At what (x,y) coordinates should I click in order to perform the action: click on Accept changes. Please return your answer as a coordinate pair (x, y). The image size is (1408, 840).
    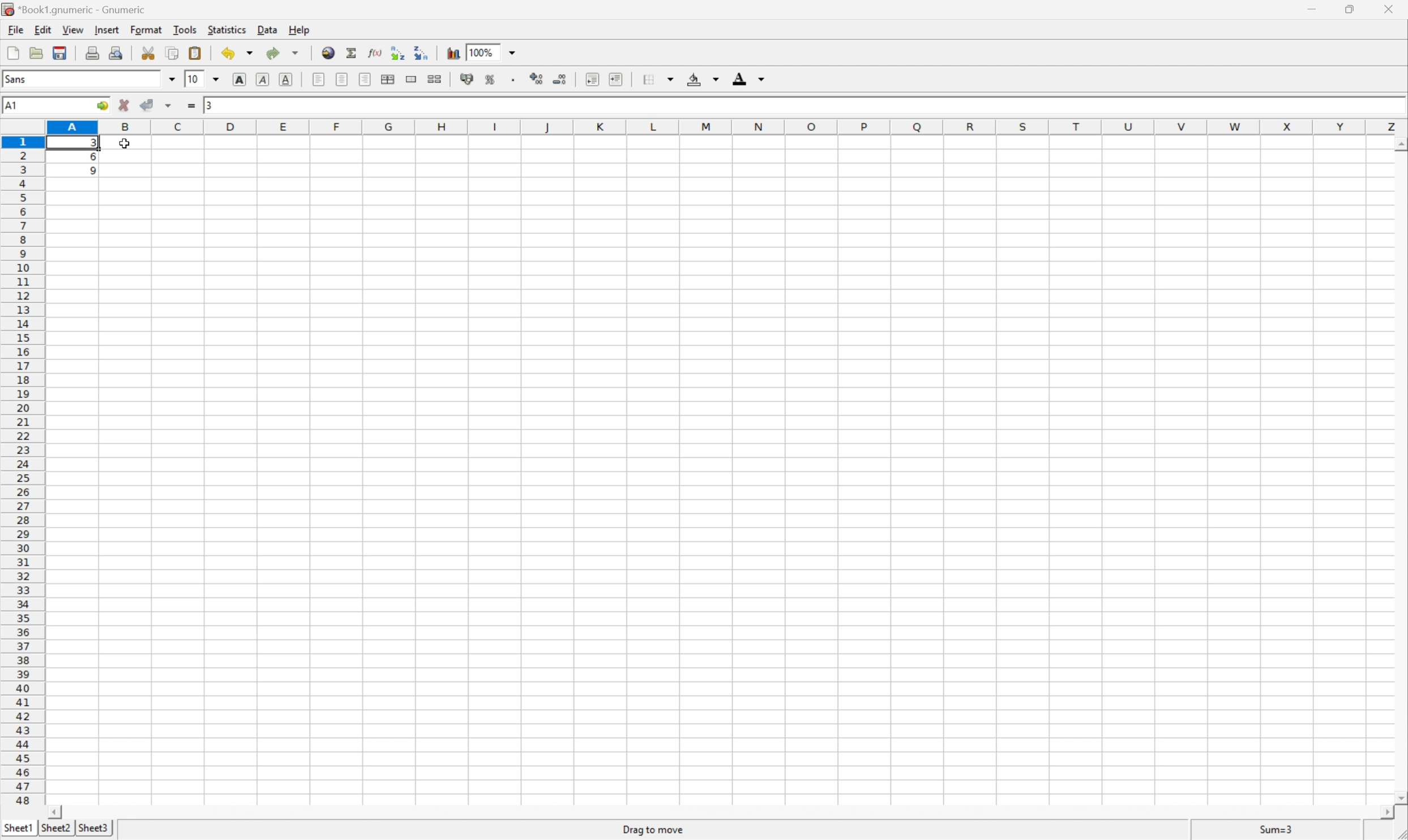
    Looking at the image, I should click on (148, 104).